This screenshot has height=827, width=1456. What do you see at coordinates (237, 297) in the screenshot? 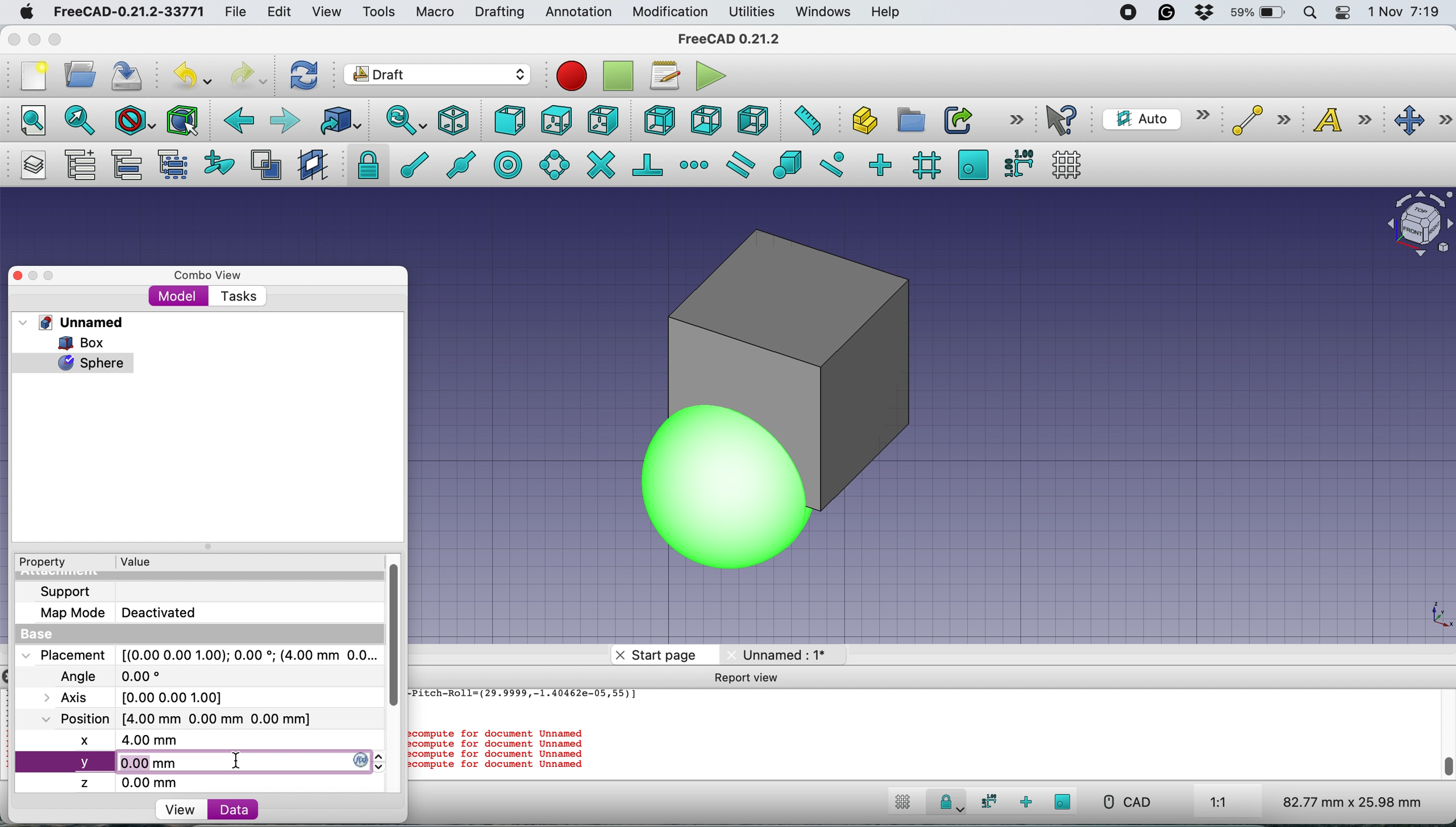
I see `tasks` at bounding box center [237, 297].